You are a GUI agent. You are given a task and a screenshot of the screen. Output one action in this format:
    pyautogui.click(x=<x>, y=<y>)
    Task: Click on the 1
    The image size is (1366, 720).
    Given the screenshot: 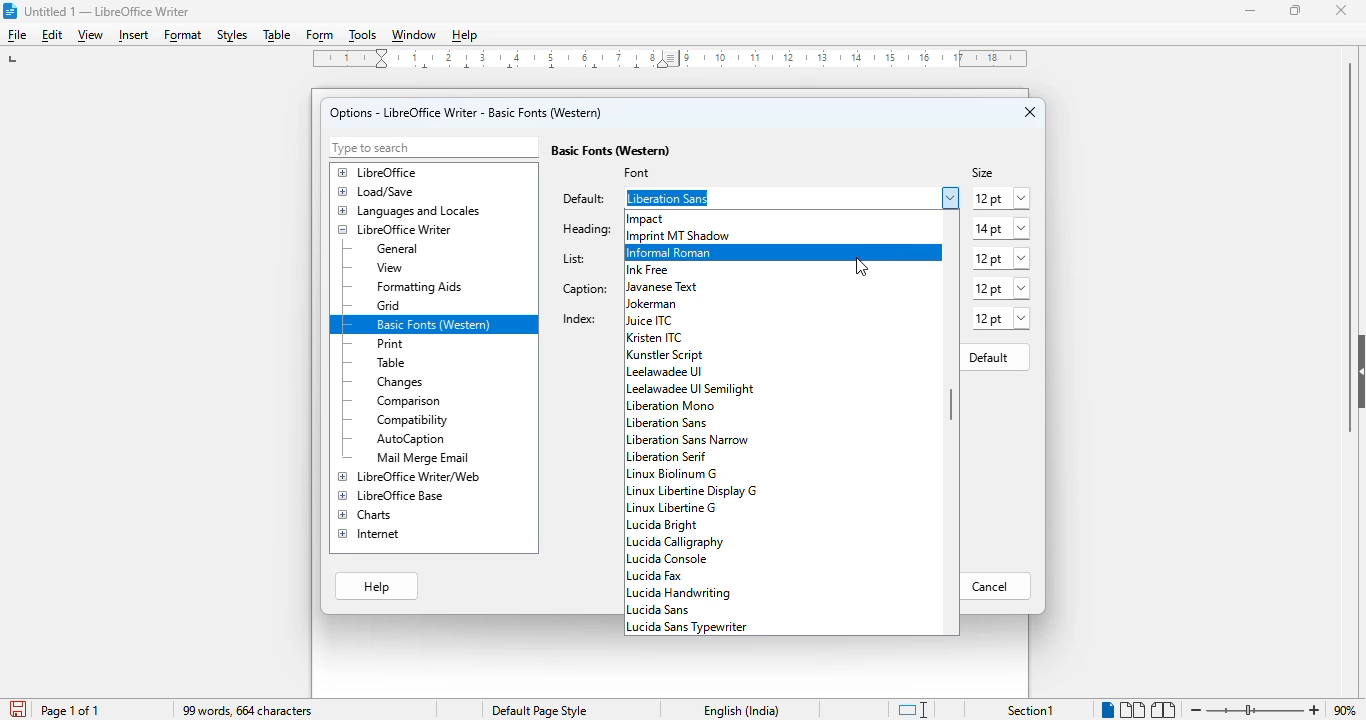 What is the action you would take?
    pyautogui.click(x=341, y=58)
    